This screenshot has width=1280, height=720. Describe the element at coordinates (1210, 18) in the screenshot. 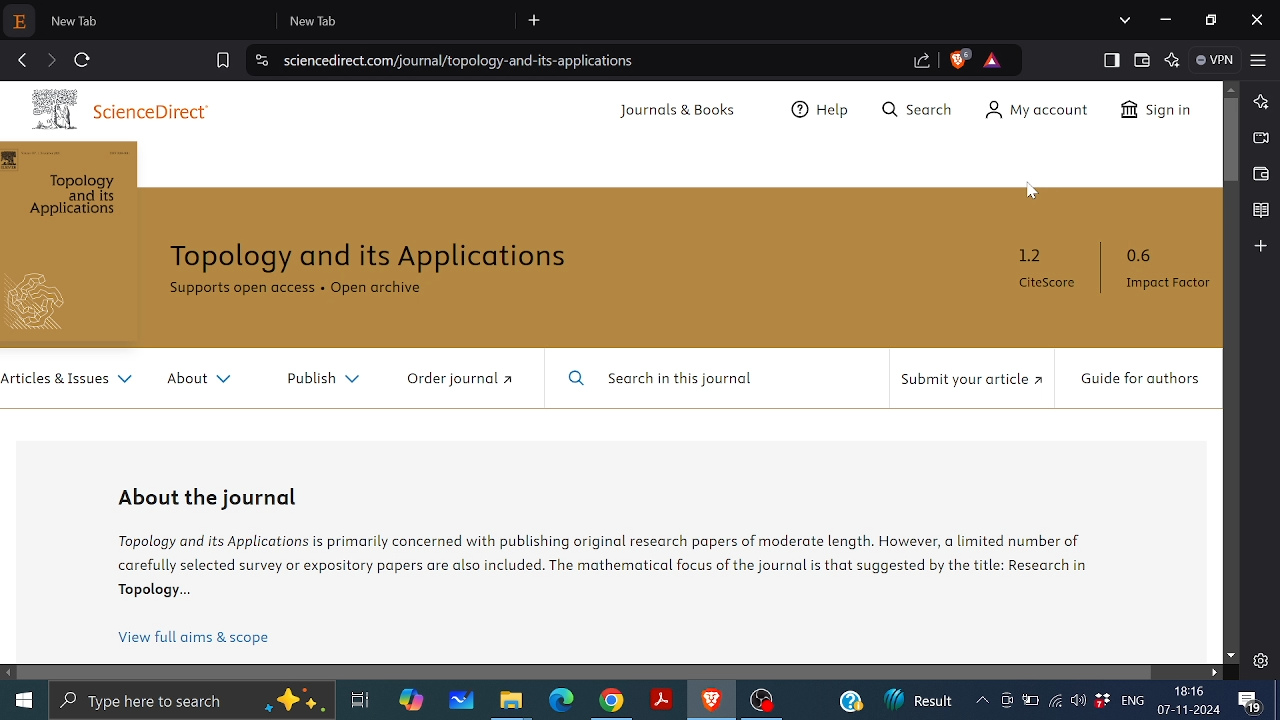

I see `Restore down` at that location.